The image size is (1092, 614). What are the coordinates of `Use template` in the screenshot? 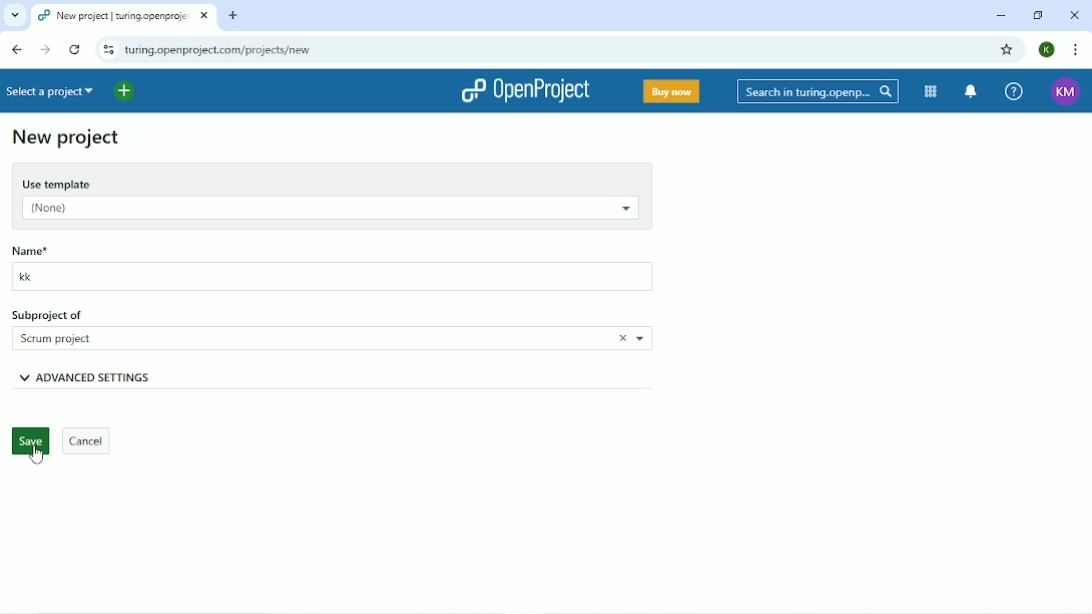 It's located at (331, 181).